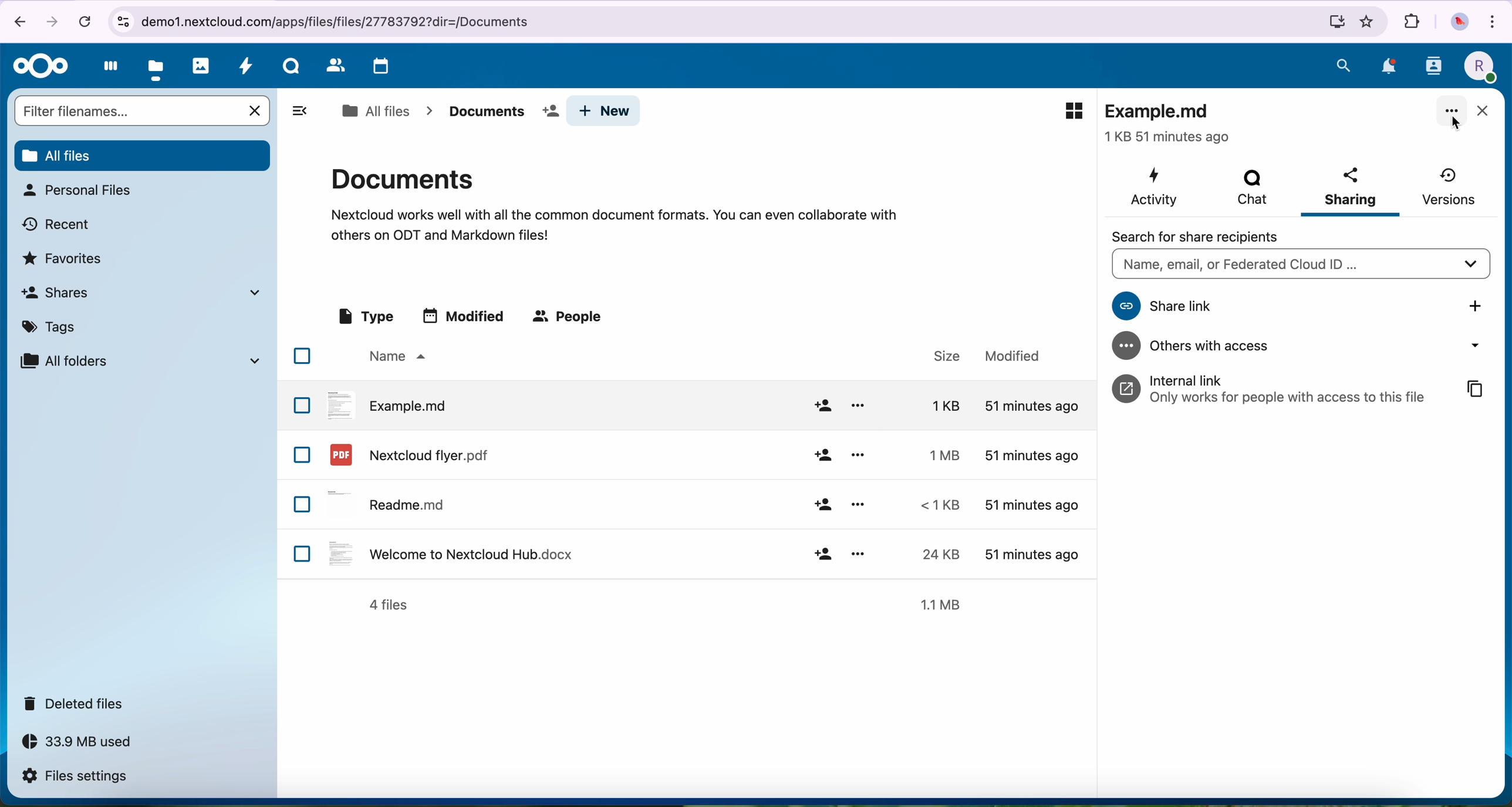 The width and height of the screenshot is (1512, 807). I want to click on activity, so click(247, 69).